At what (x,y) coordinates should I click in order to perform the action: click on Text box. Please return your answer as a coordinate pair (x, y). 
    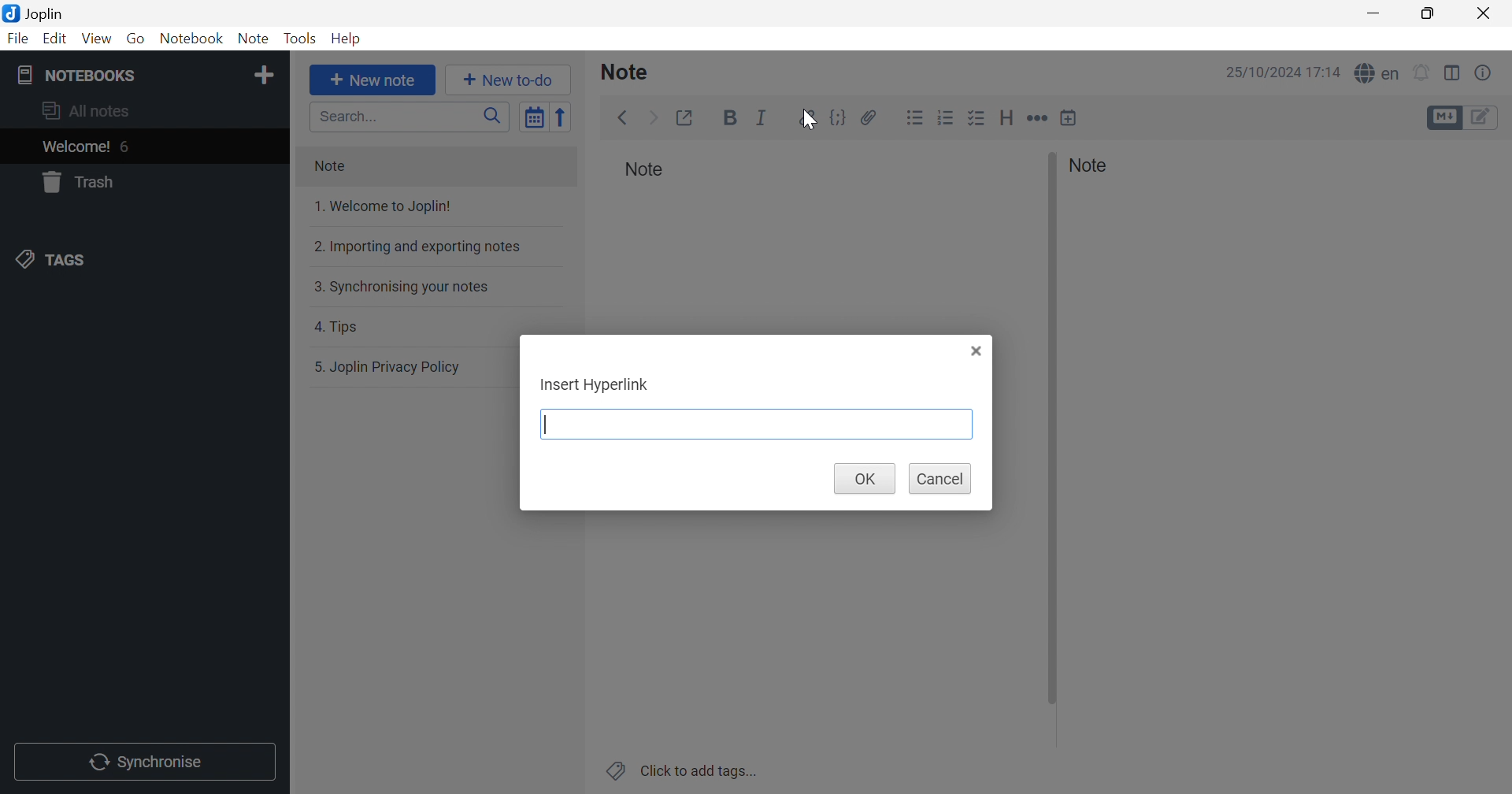
    Looking at the image, I should click on (758, 425).